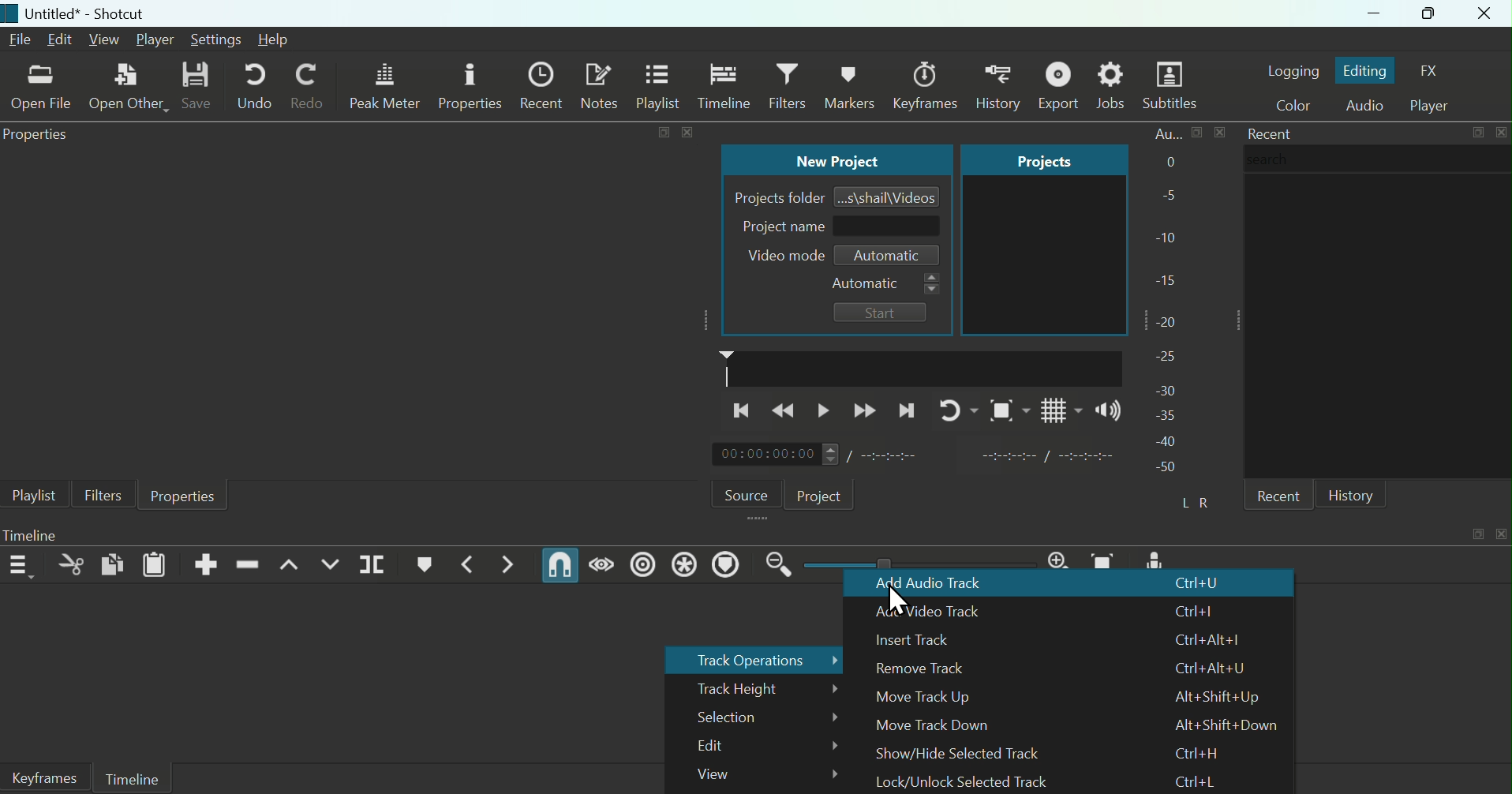 Image resolution: width=1512 pixels, height=794 pixels. I want to click on close, so click(1500, 534).